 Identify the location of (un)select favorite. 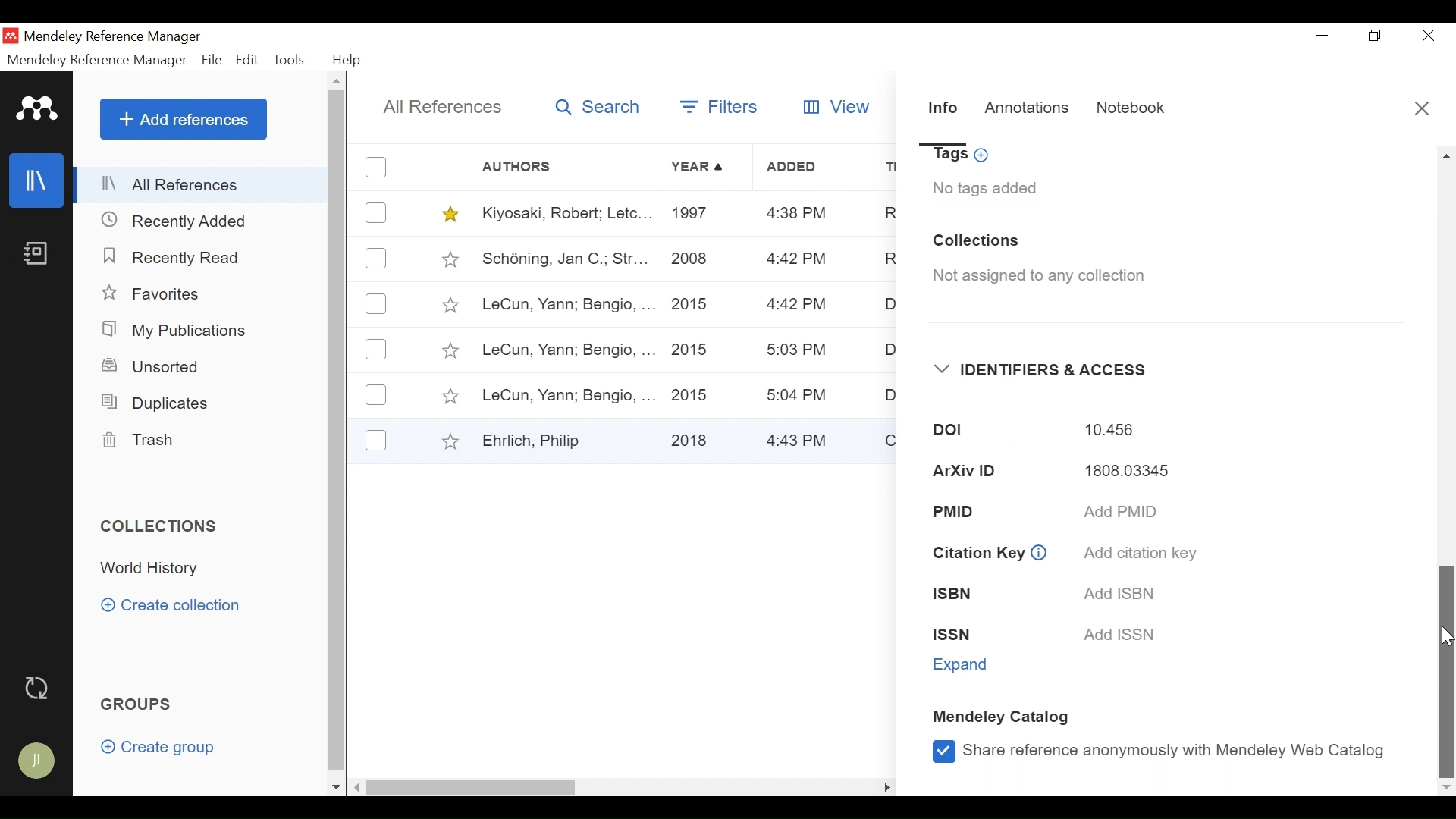
(447, 259).